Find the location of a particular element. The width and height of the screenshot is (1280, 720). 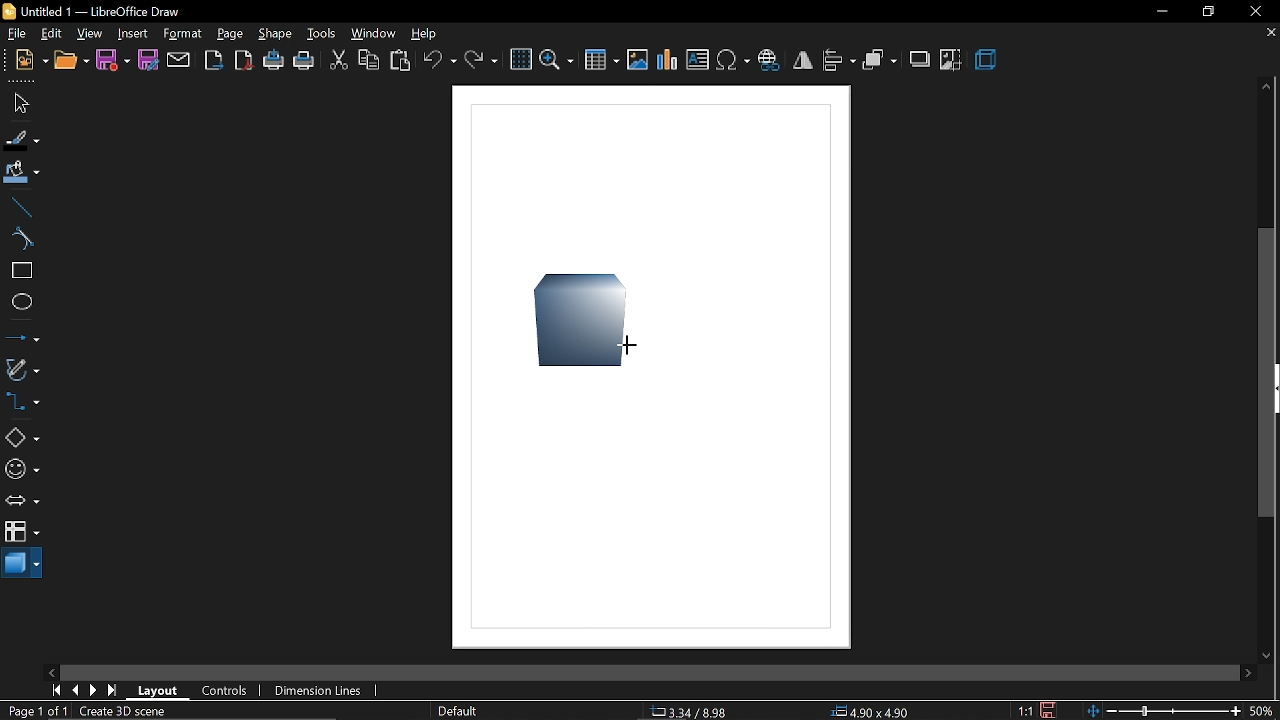

view is located at coordinates (91, 34).